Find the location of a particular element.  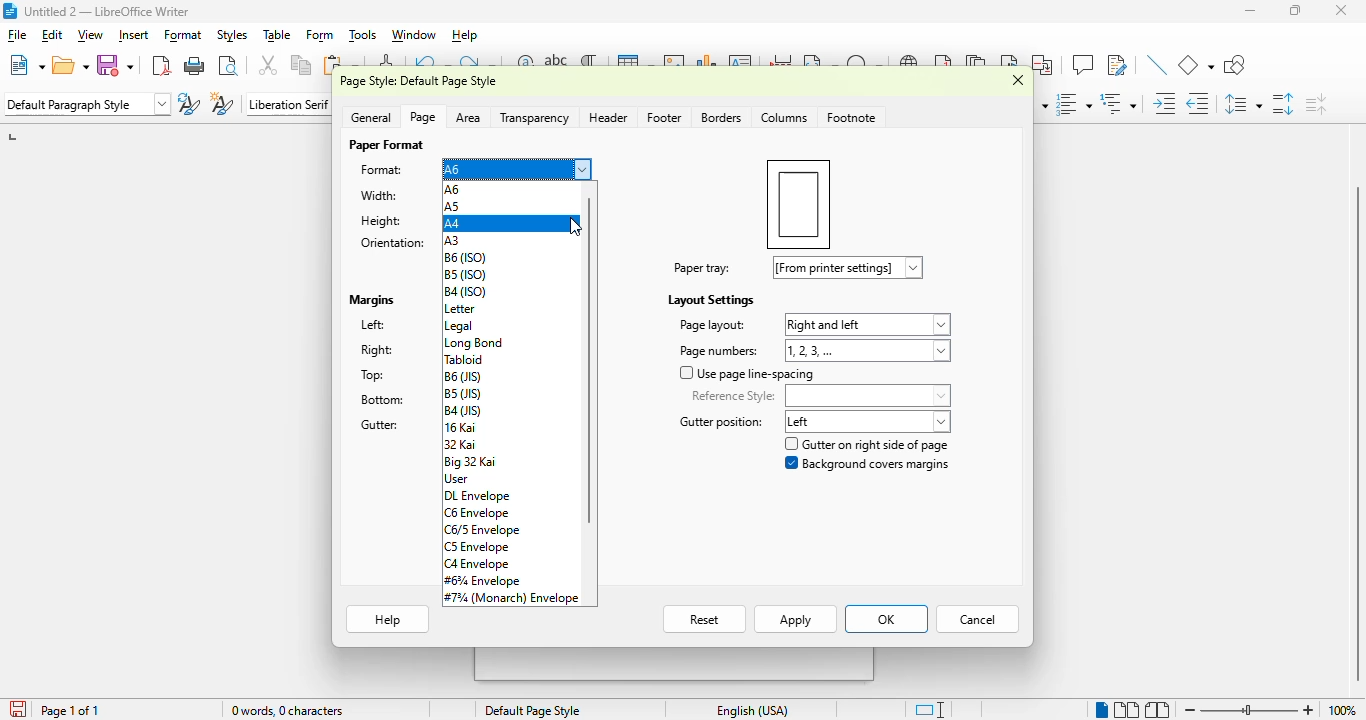

C6/5 Envelope is located at coordinates (482, 530).